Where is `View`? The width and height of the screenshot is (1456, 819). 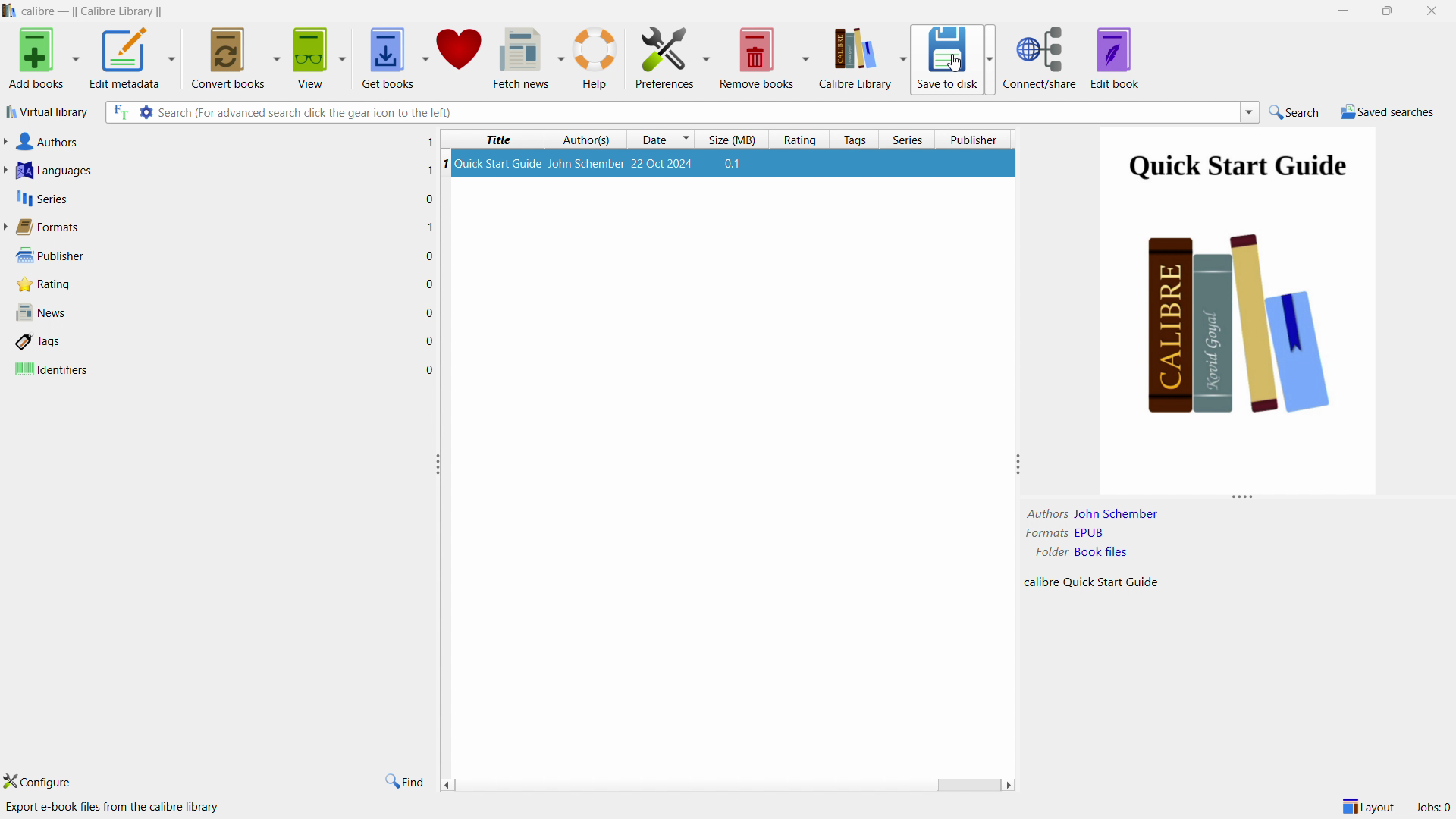
View is located at coordinates (312, 59).